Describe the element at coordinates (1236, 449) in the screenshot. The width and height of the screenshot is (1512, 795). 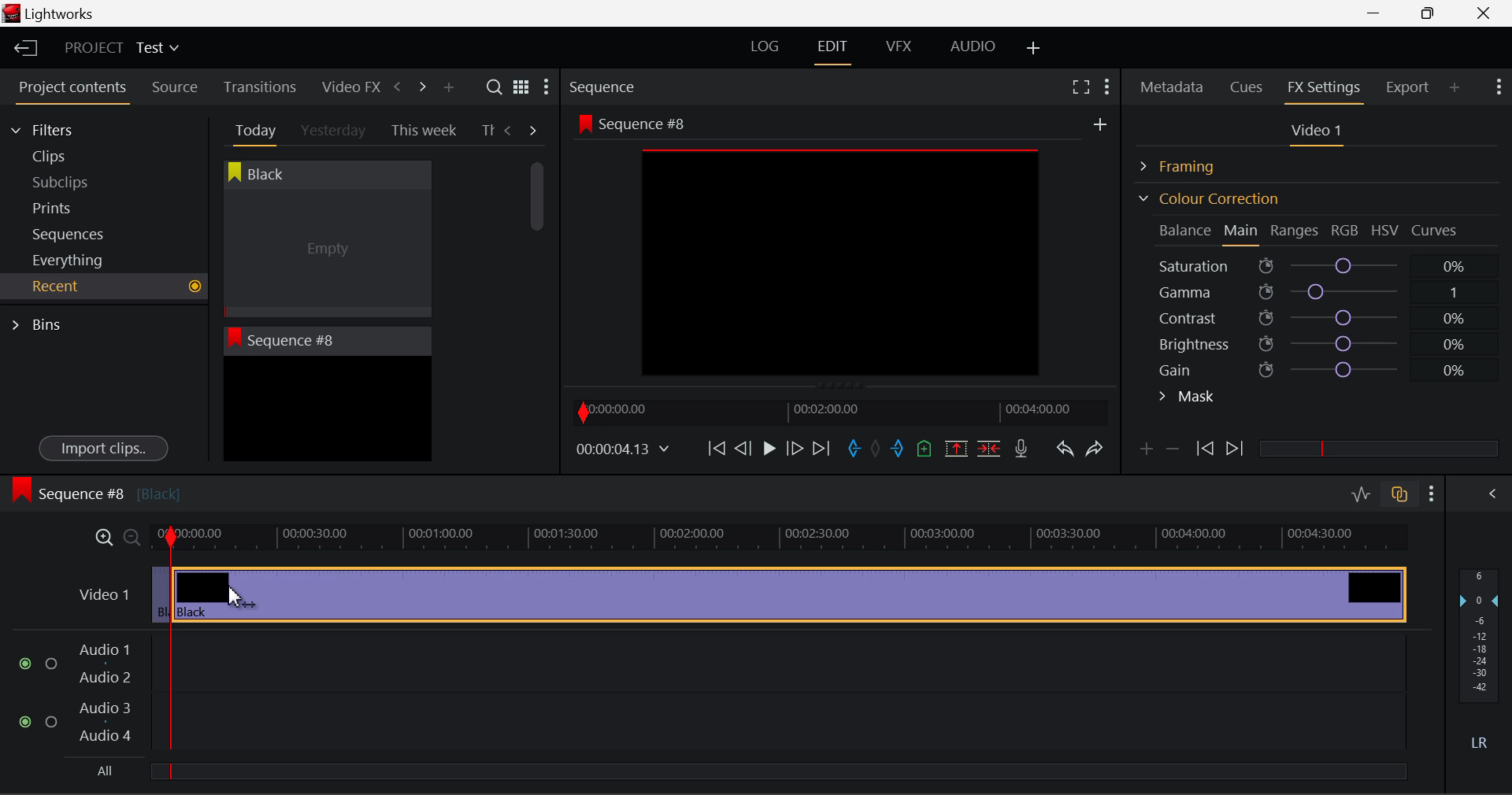
I see `Next keyframe` at that location.